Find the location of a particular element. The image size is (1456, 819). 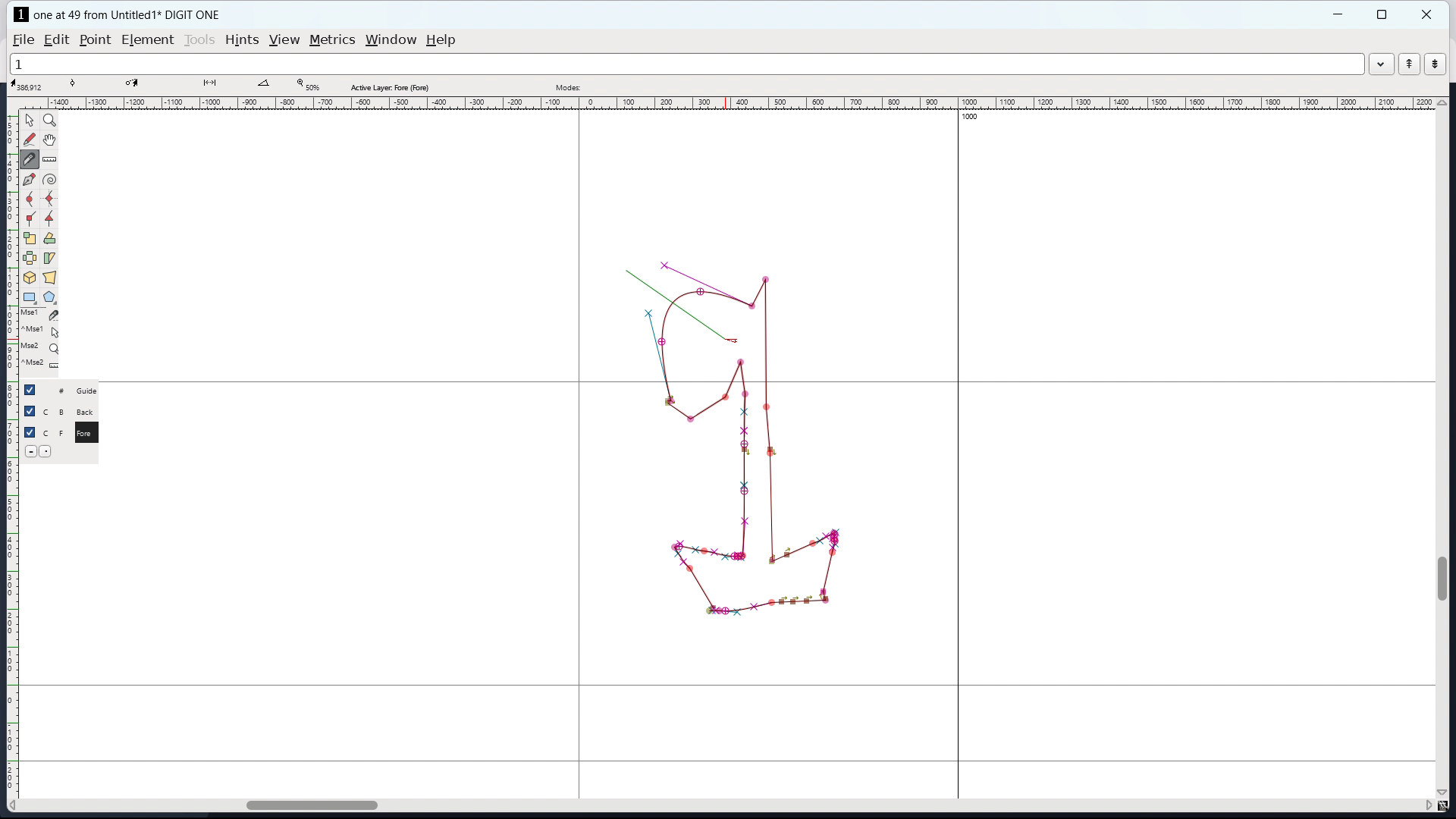

magnify is located at coordinates (50, 120).